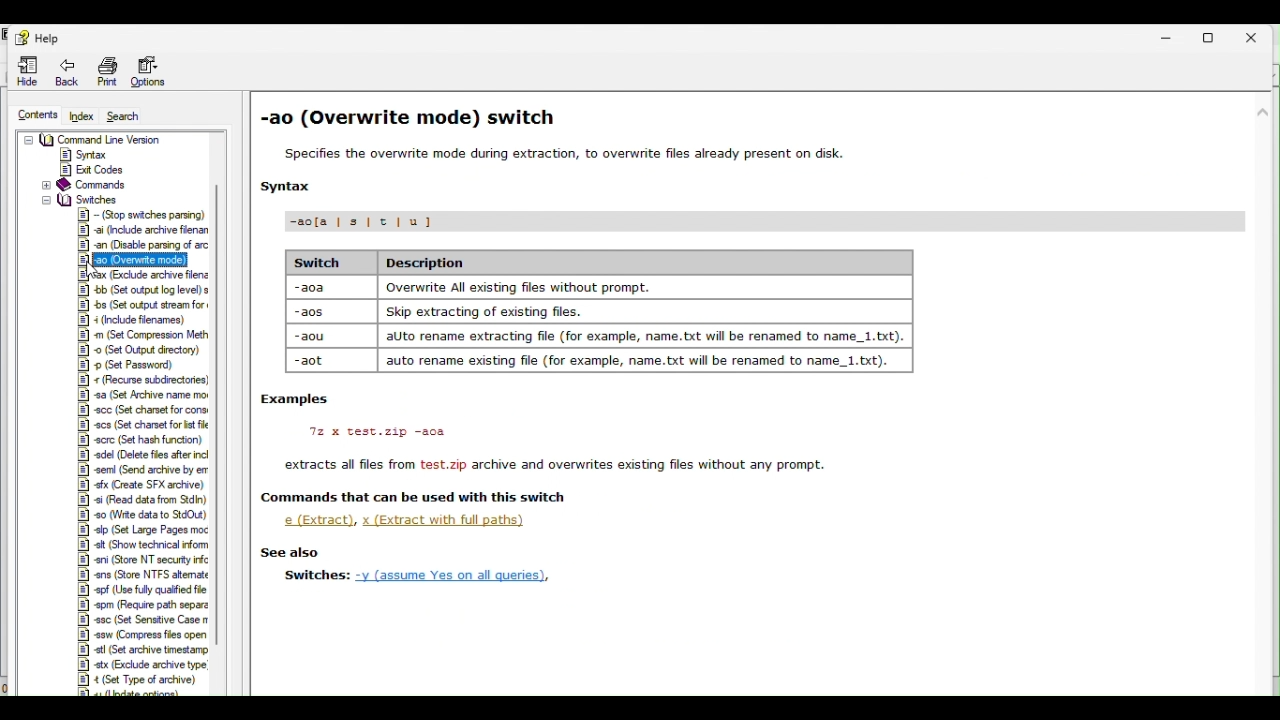  Describe the element at coordinates (1171, 35) in the screenshot. I see `Minimise ` at that location.